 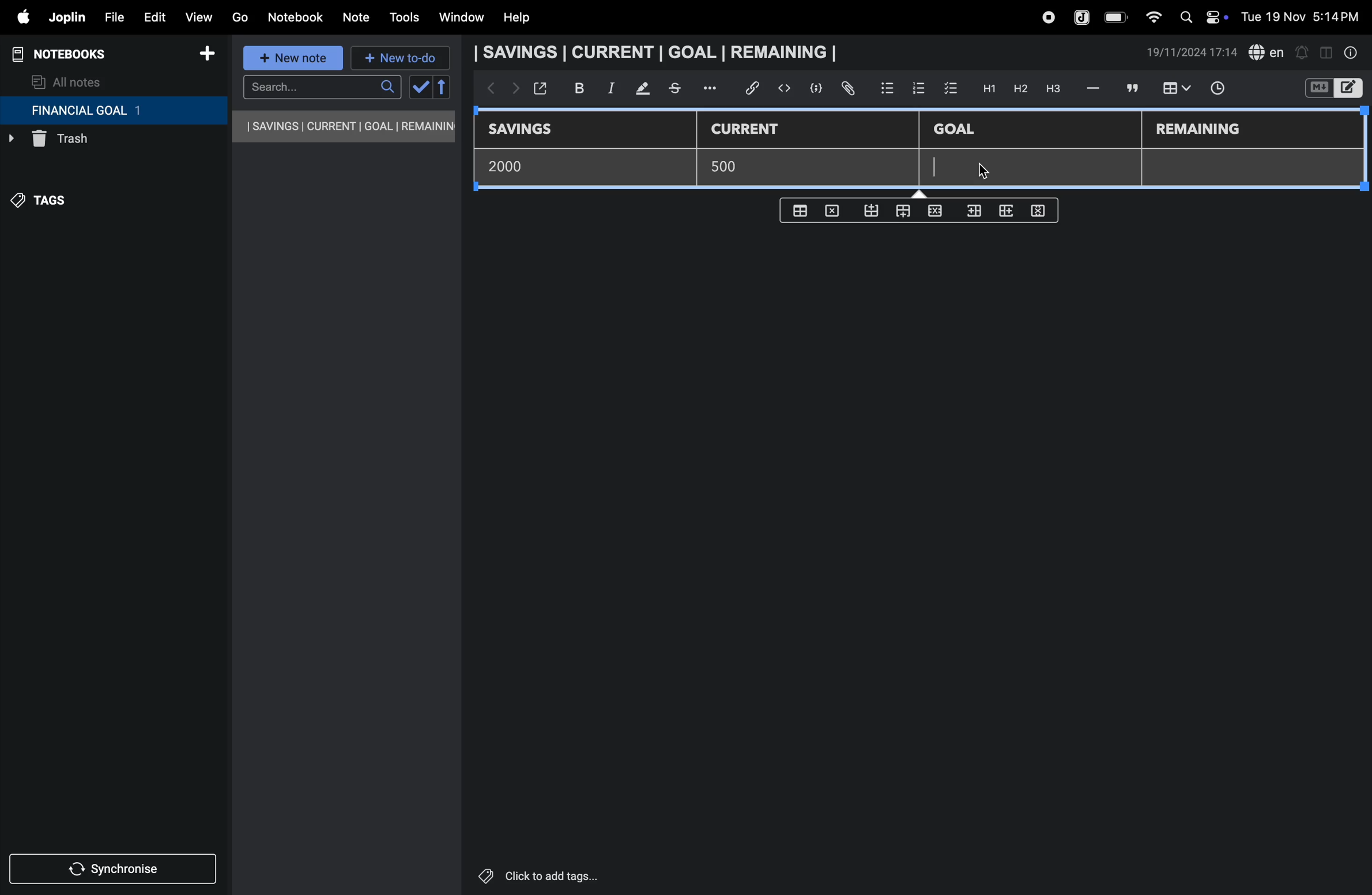 What do you see at coordinates (918, 88) in the screenshot?
I see `numbered list` at bounding box center [918, 88].